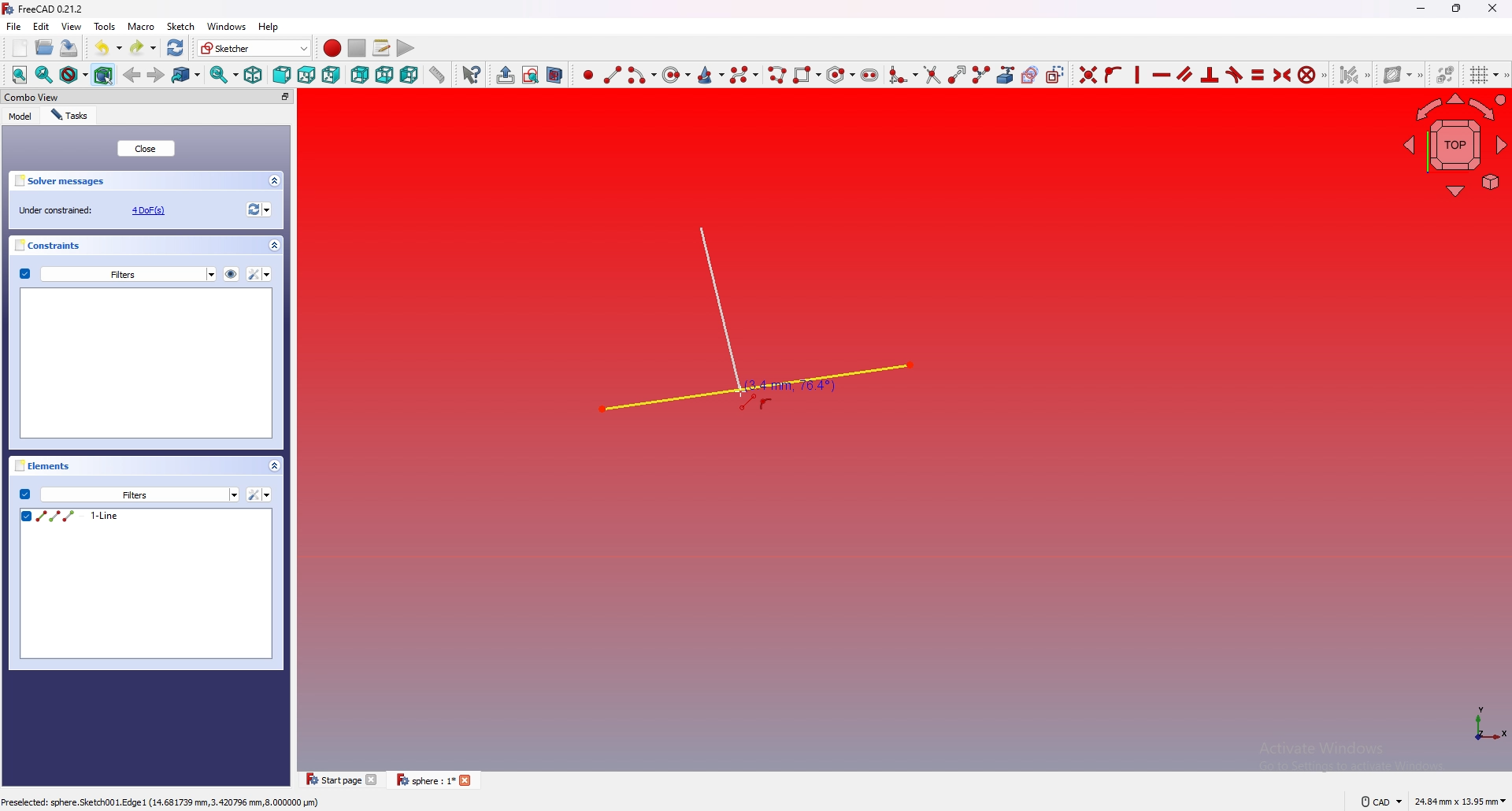 The width and height of the screenshot is (1512, 811). Describe the element at coordinates (16, 75) in the screenshot. I see `Fit all` at that location.